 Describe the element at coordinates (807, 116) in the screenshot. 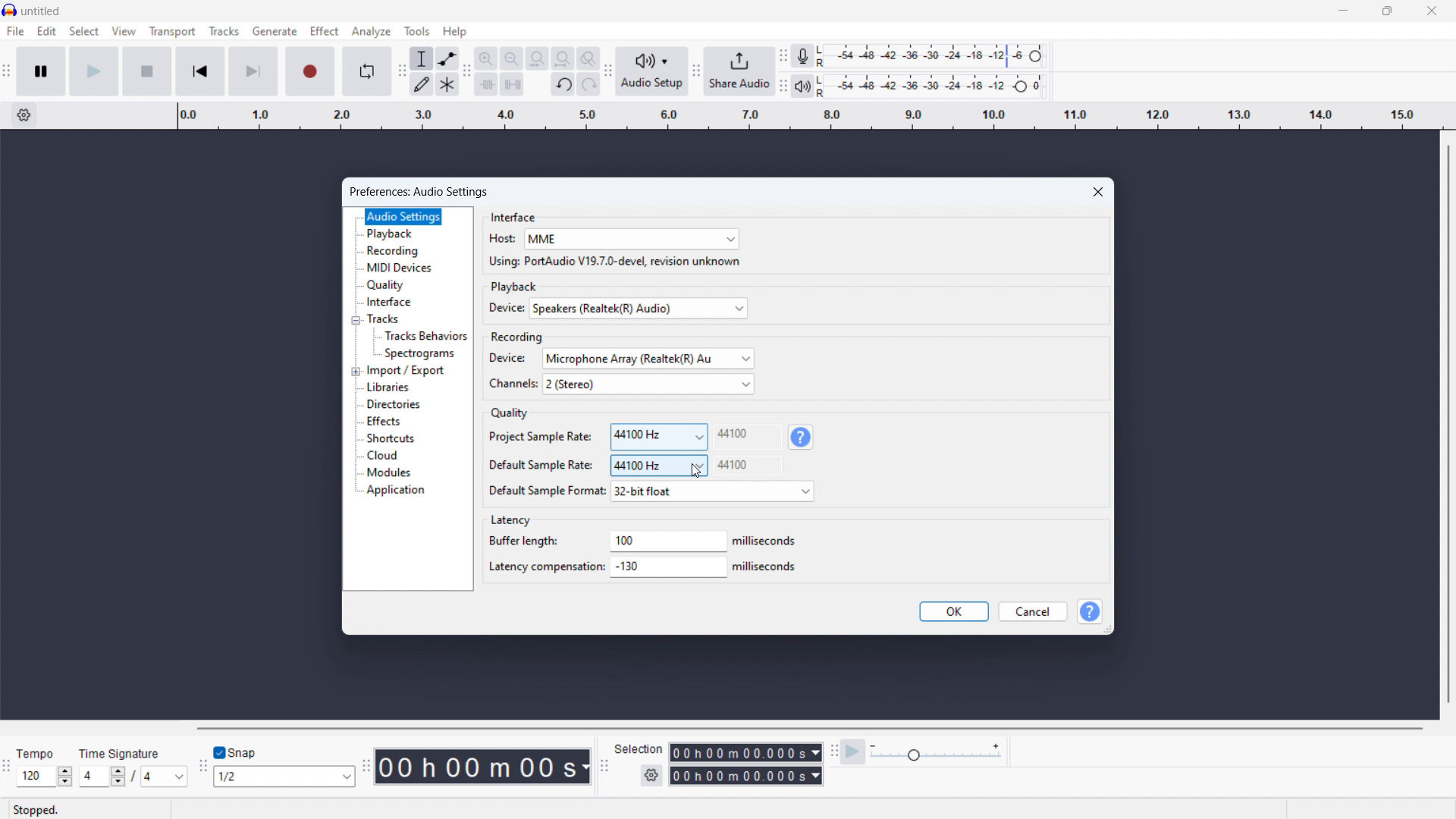

I see `timeline` at that location.